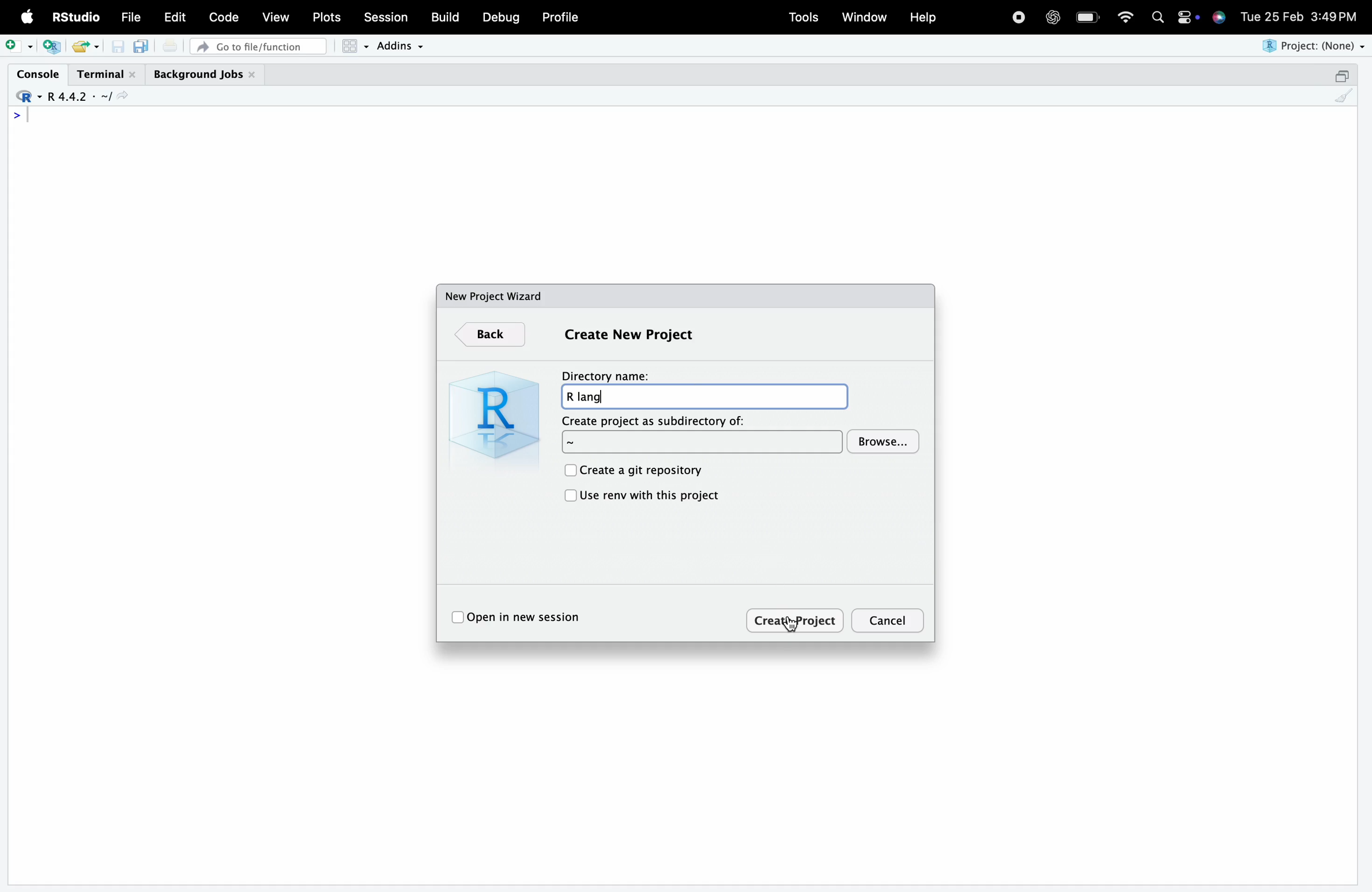 This screenshot has height=892, width=1372. I want to click on stop, so click(1018, 16).